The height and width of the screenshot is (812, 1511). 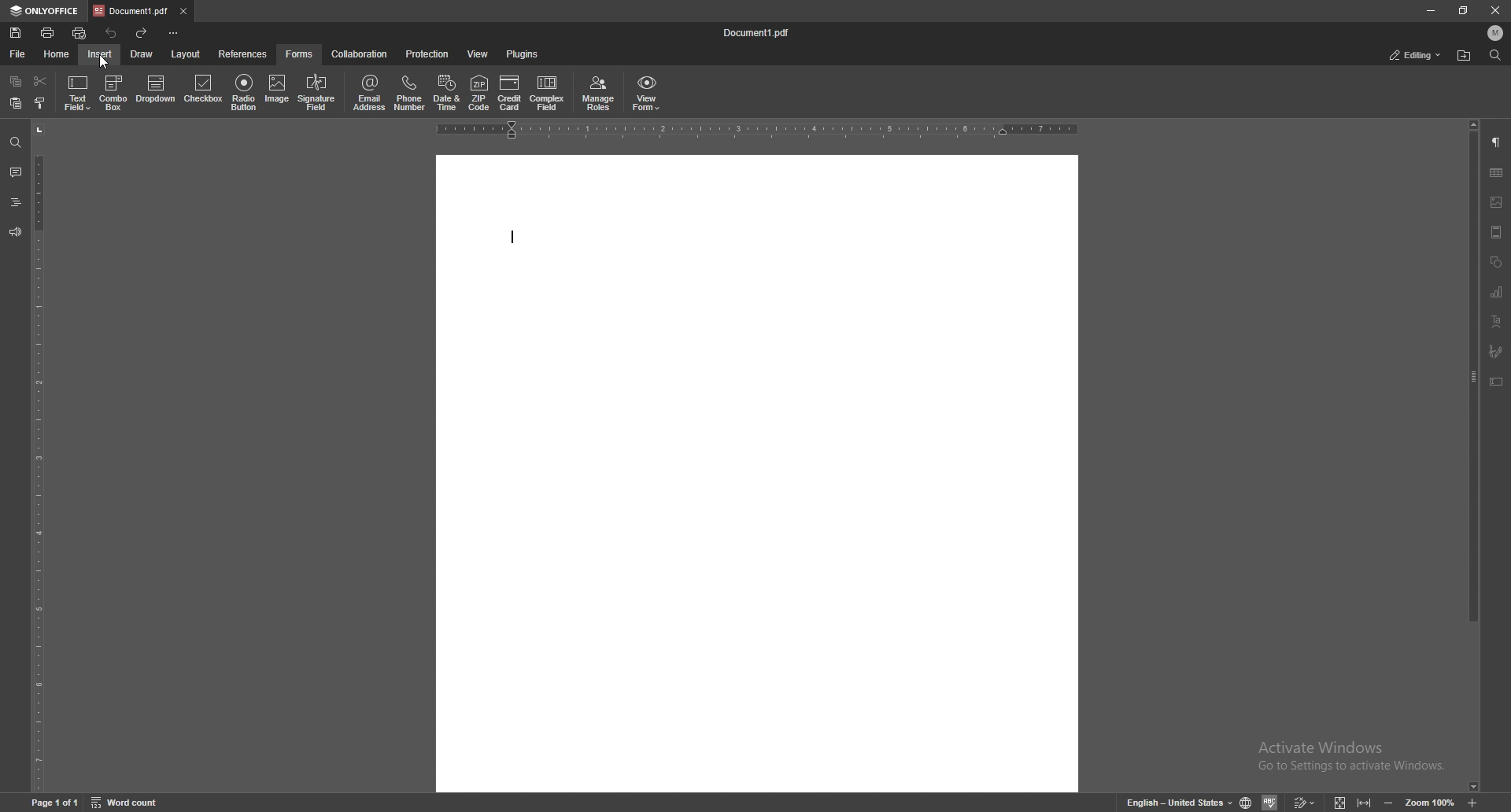 I want to click on plugins, so click(x=525, y=54).